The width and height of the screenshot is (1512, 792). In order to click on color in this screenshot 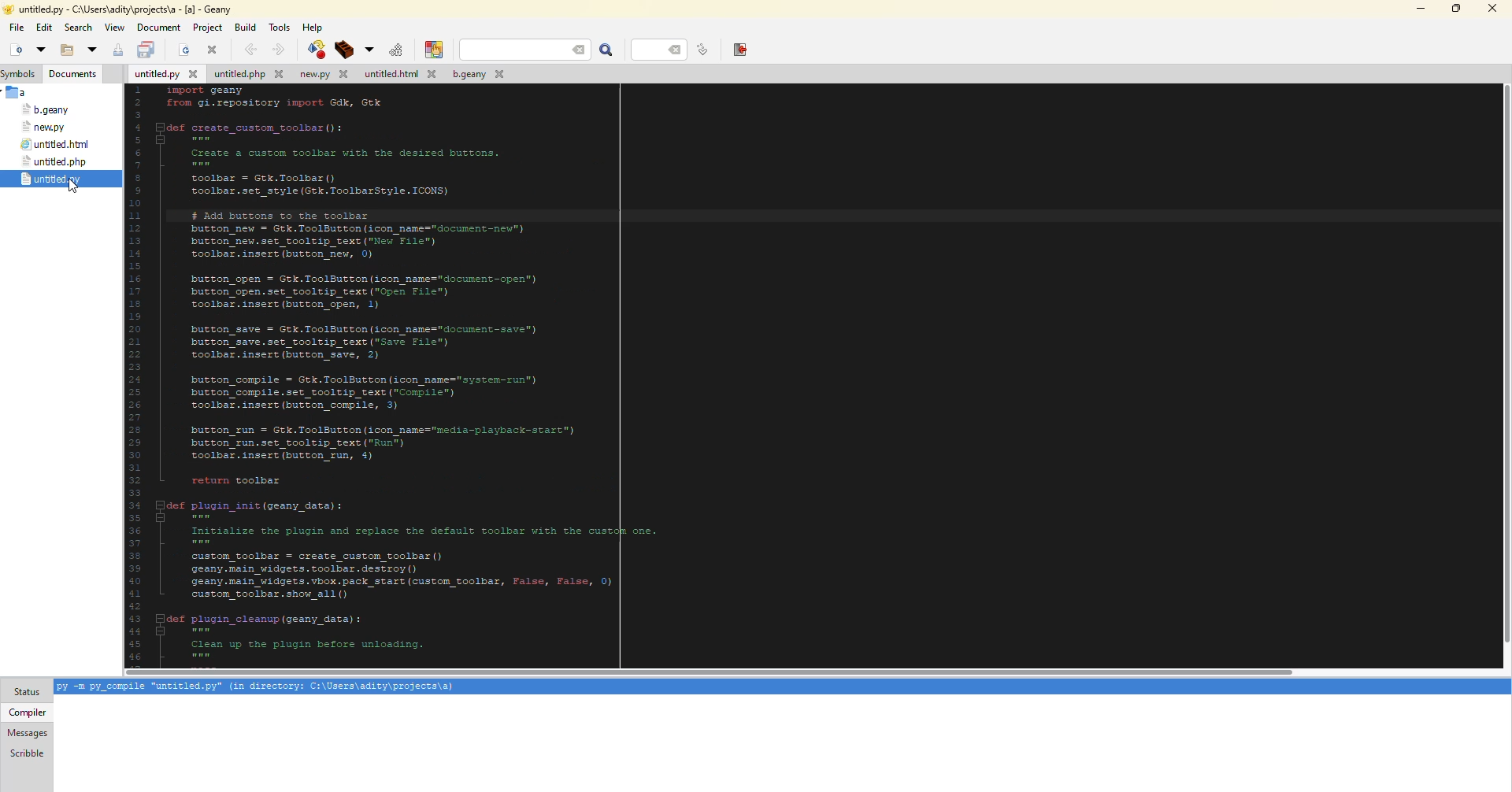, I will do `click(433, 49)`.